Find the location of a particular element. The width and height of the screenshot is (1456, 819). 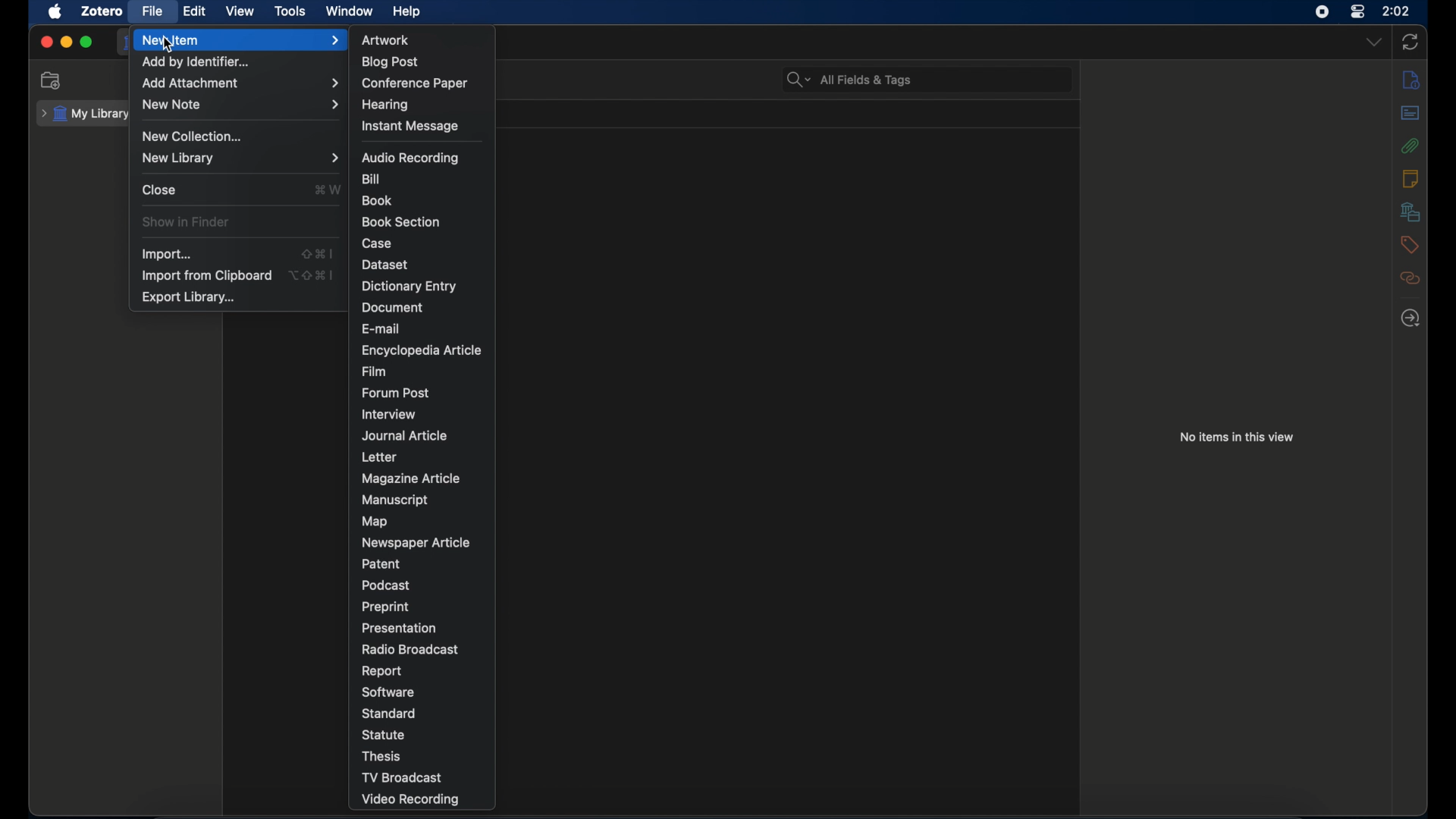

2.02 is located at coordinates (1397, 10).